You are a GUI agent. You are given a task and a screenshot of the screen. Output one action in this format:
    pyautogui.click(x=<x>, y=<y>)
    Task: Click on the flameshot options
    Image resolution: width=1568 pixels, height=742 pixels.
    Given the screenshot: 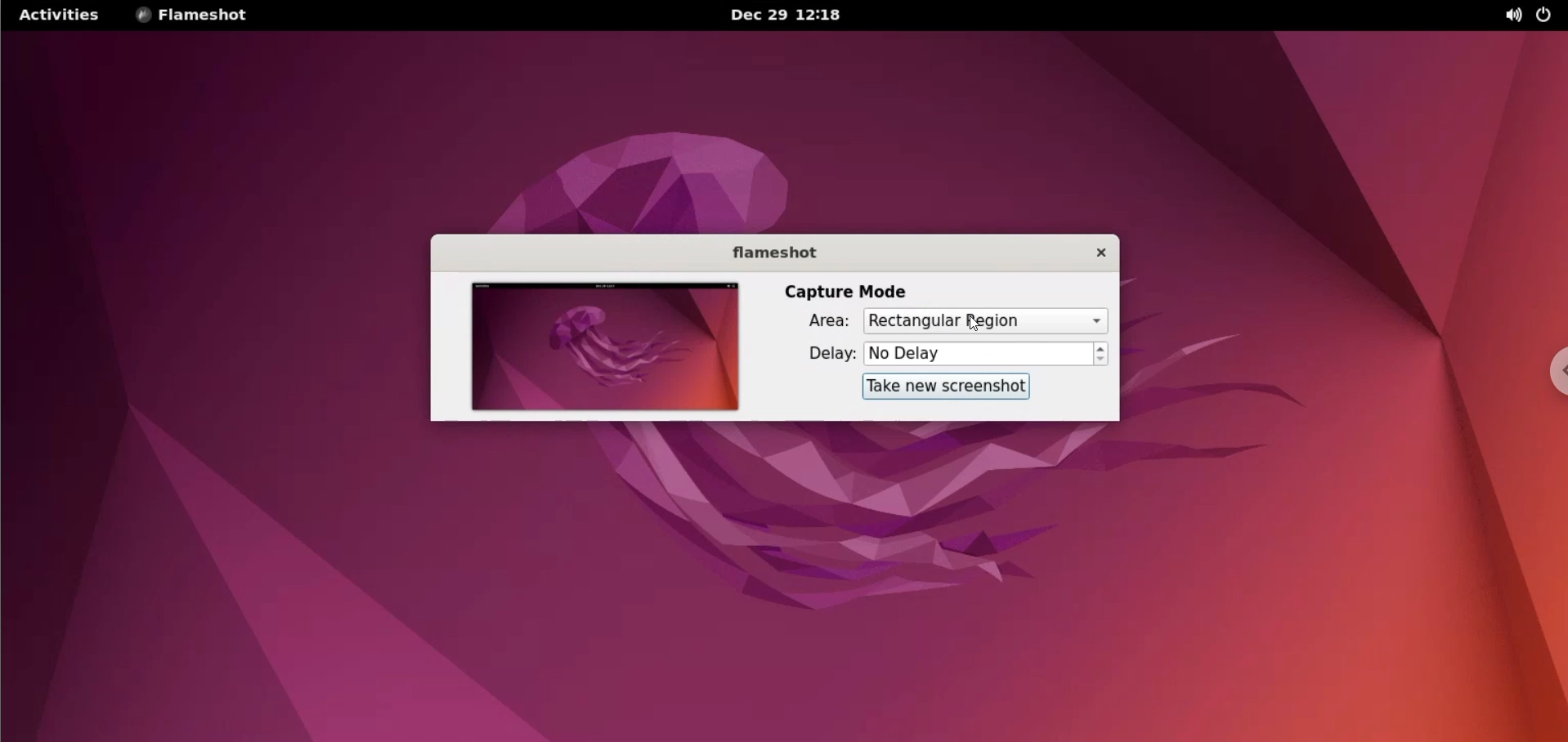 What is the action you would take?
    pyautogui.click(x=198, y=16)
    